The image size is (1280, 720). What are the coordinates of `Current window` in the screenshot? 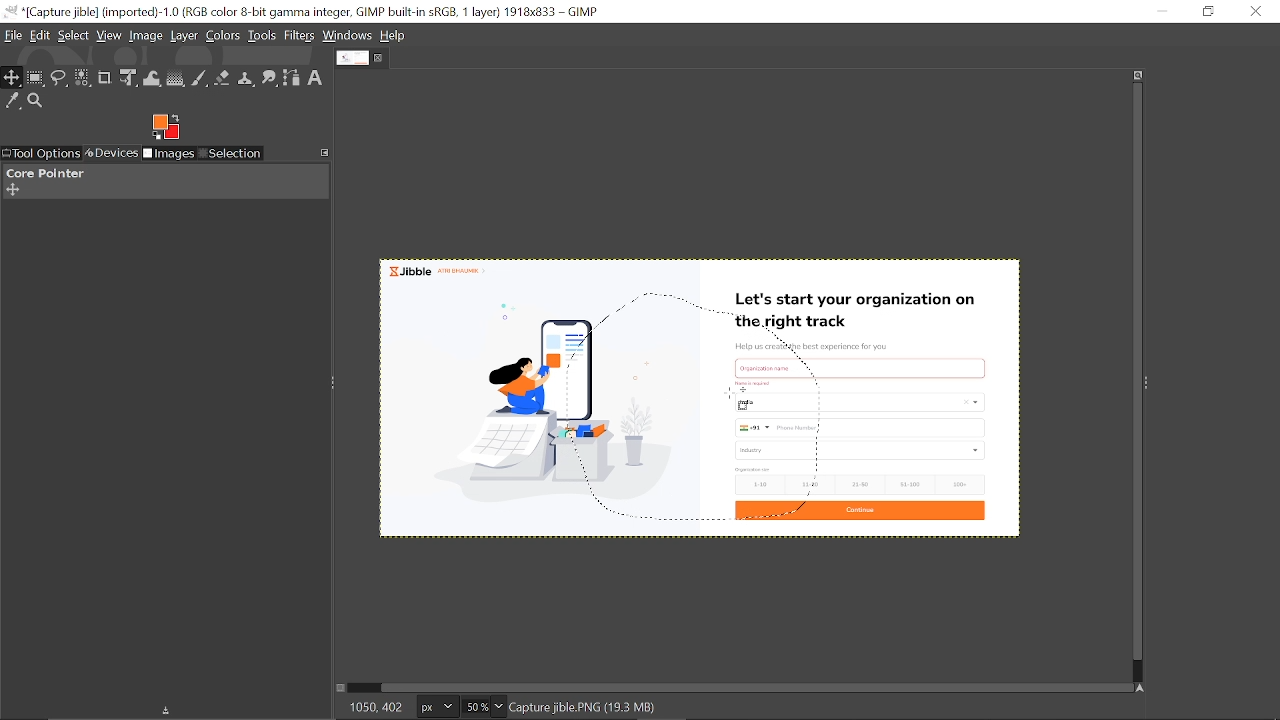 It's located at (305, 12).